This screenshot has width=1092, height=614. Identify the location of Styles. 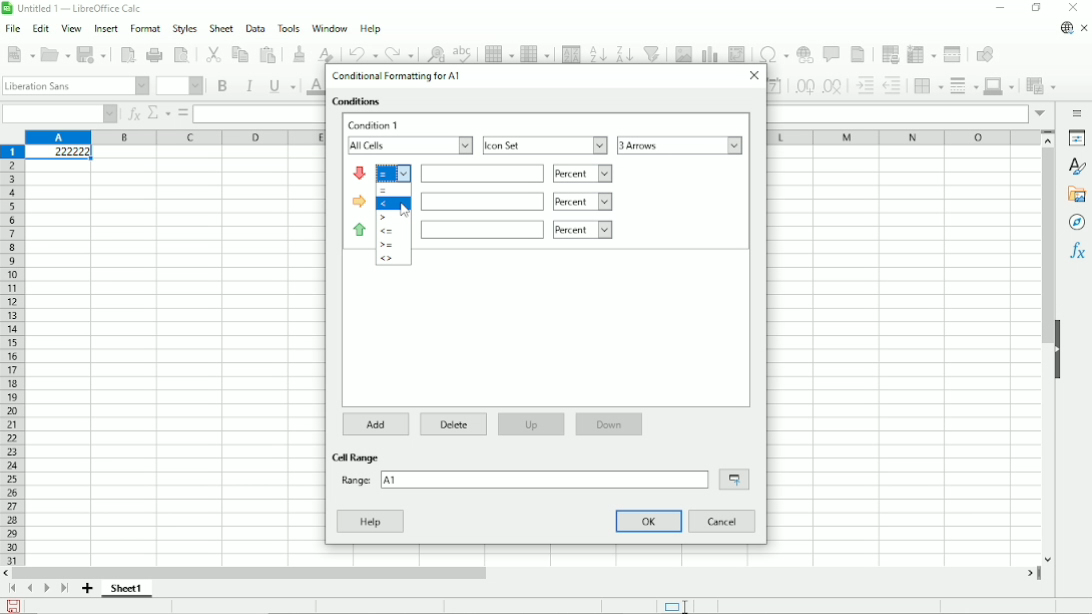
(184, 28).